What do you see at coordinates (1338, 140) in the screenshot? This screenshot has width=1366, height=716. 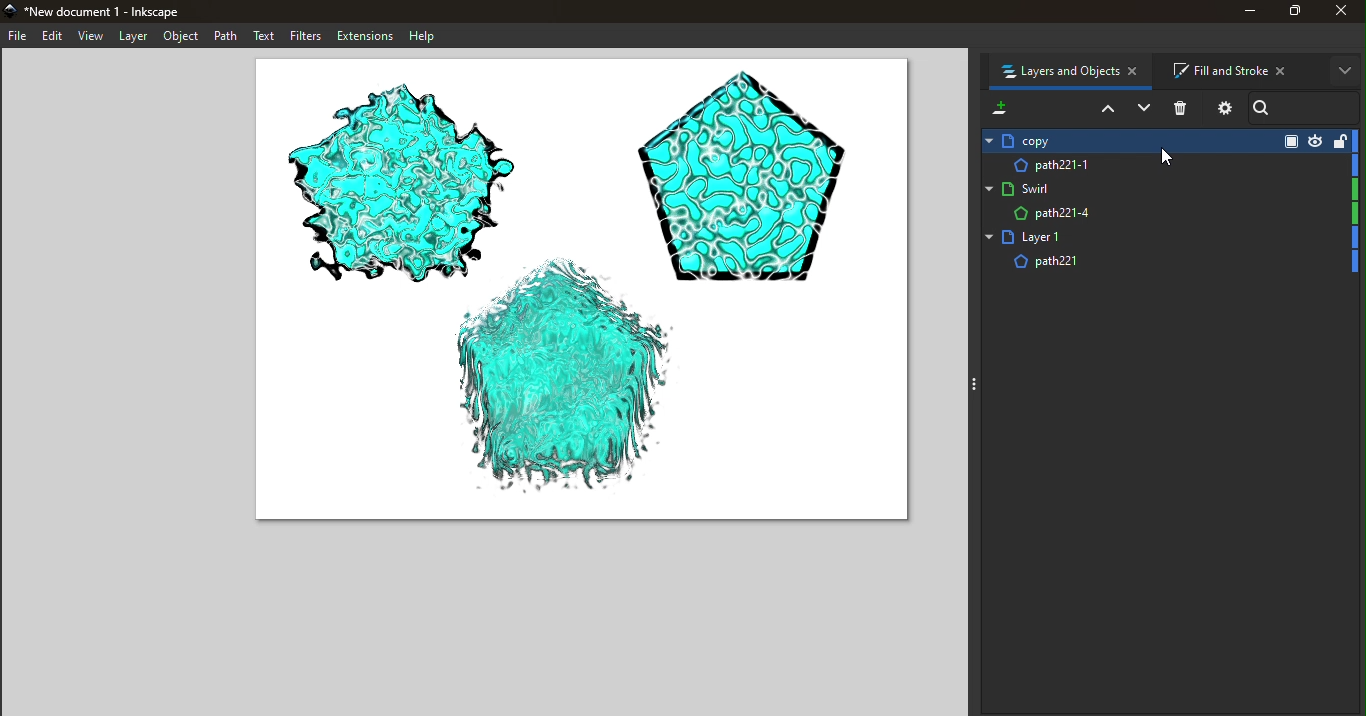 I see `Lock/Unlock layer` at bounding box center [1338, 140].